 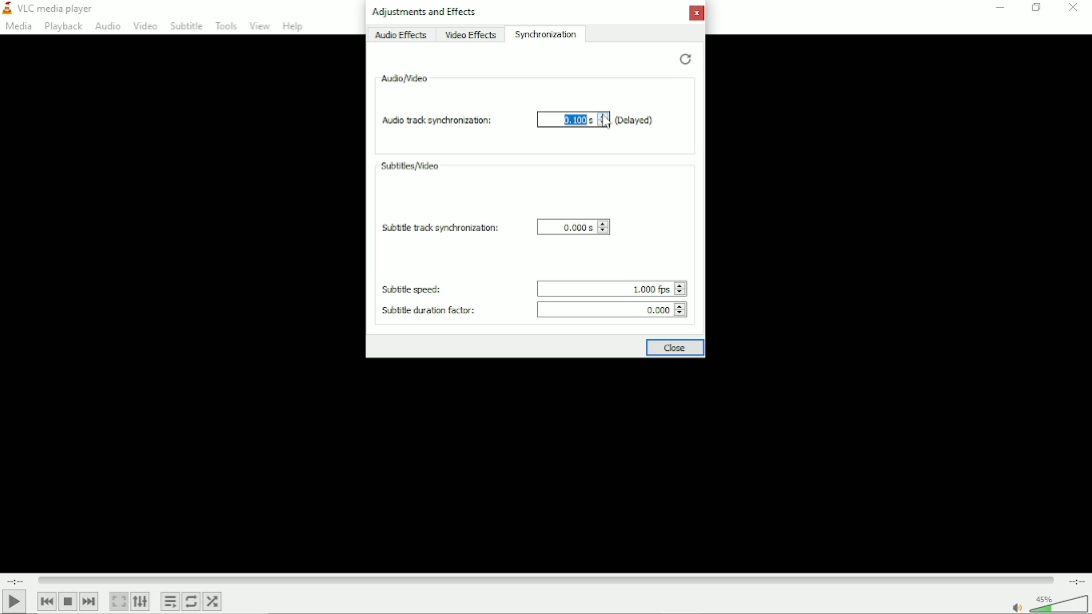 I want to click on Toggle between loop all, loop one and no loop, so click(x=191, y=601).